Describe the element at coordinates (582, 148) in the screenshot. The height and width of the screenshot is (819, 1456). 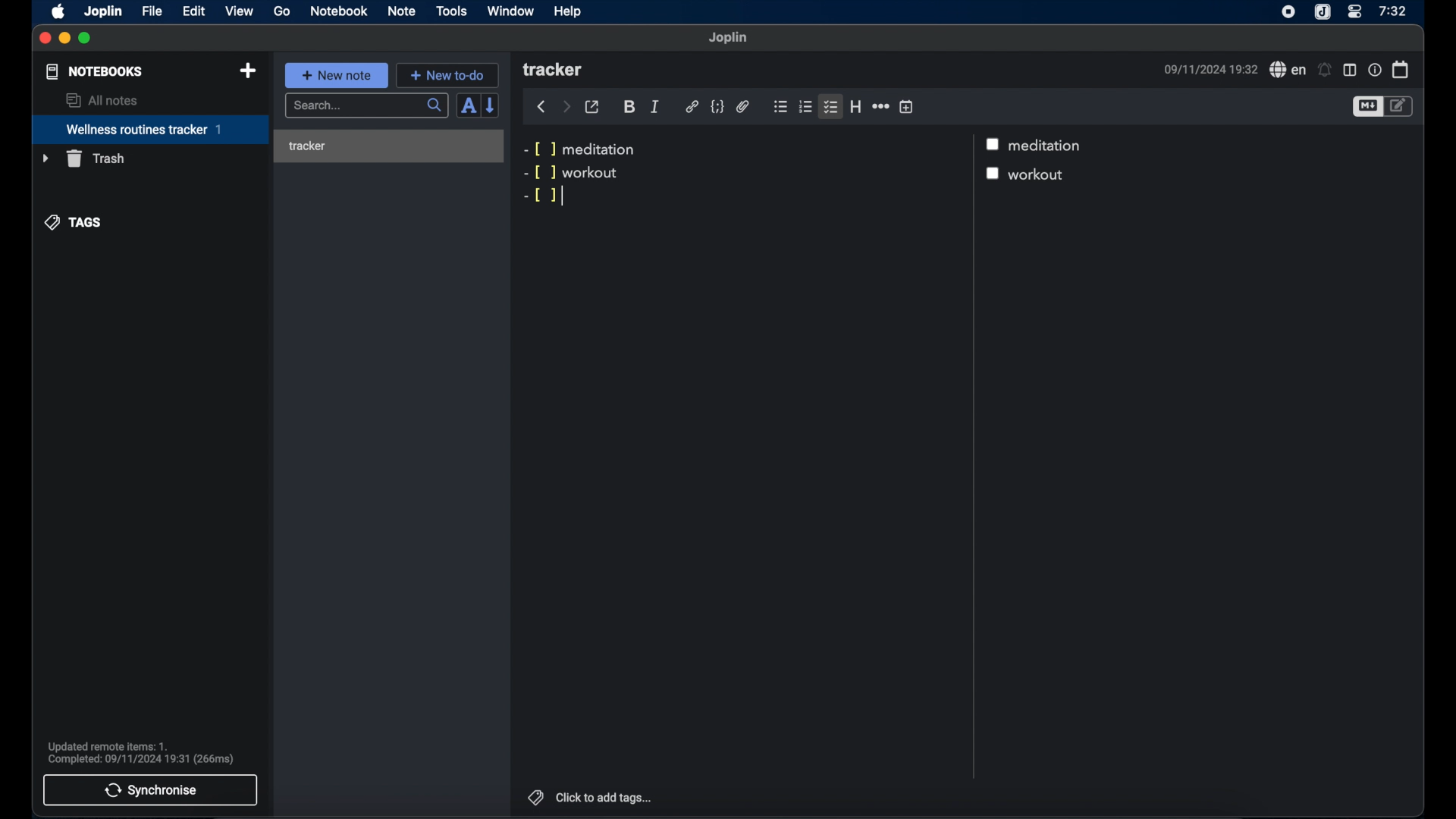
I see `-[ ] meditation` at that location.